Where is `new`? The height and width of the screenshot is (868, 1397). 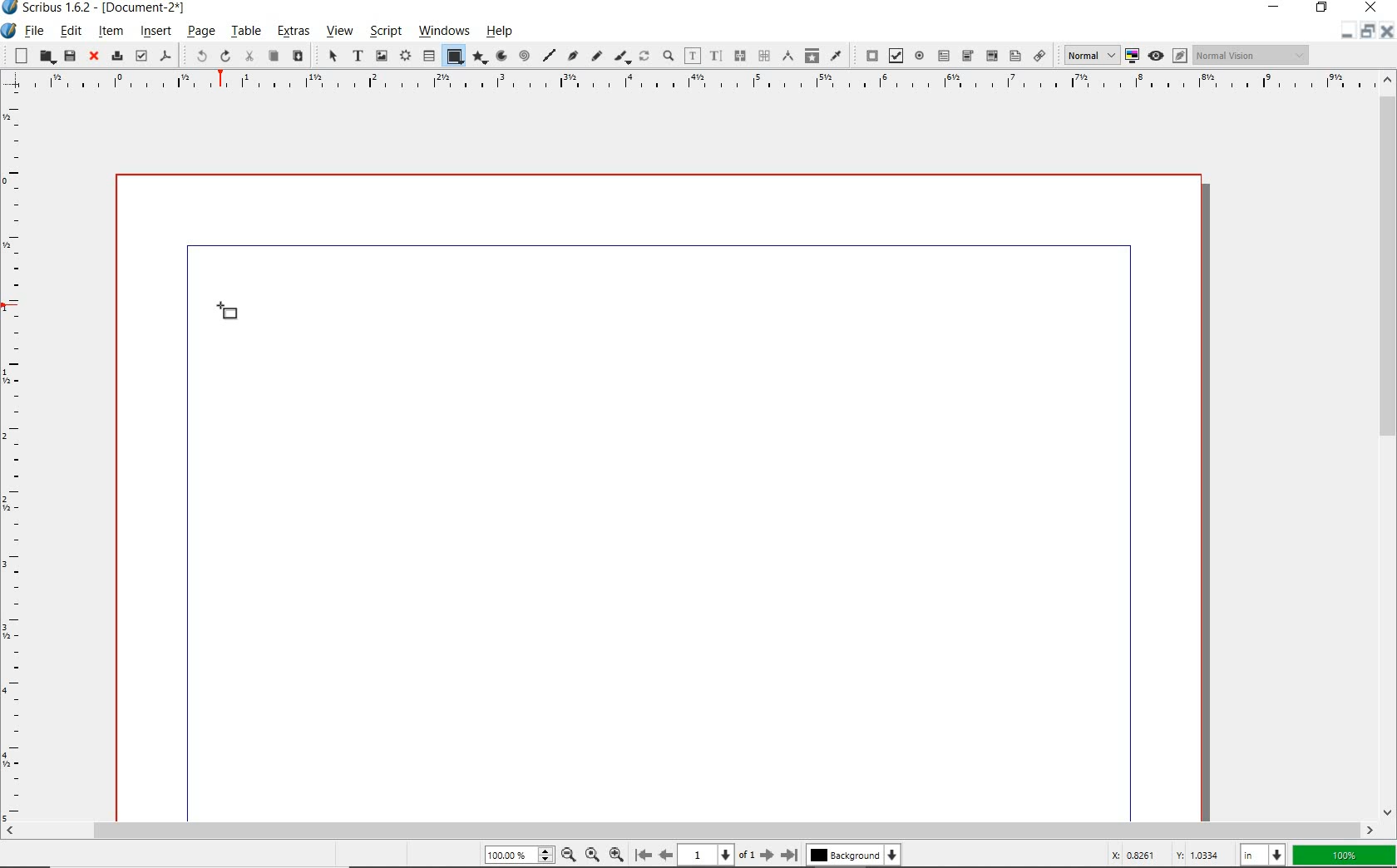
new is located at coordinates (17, 55).